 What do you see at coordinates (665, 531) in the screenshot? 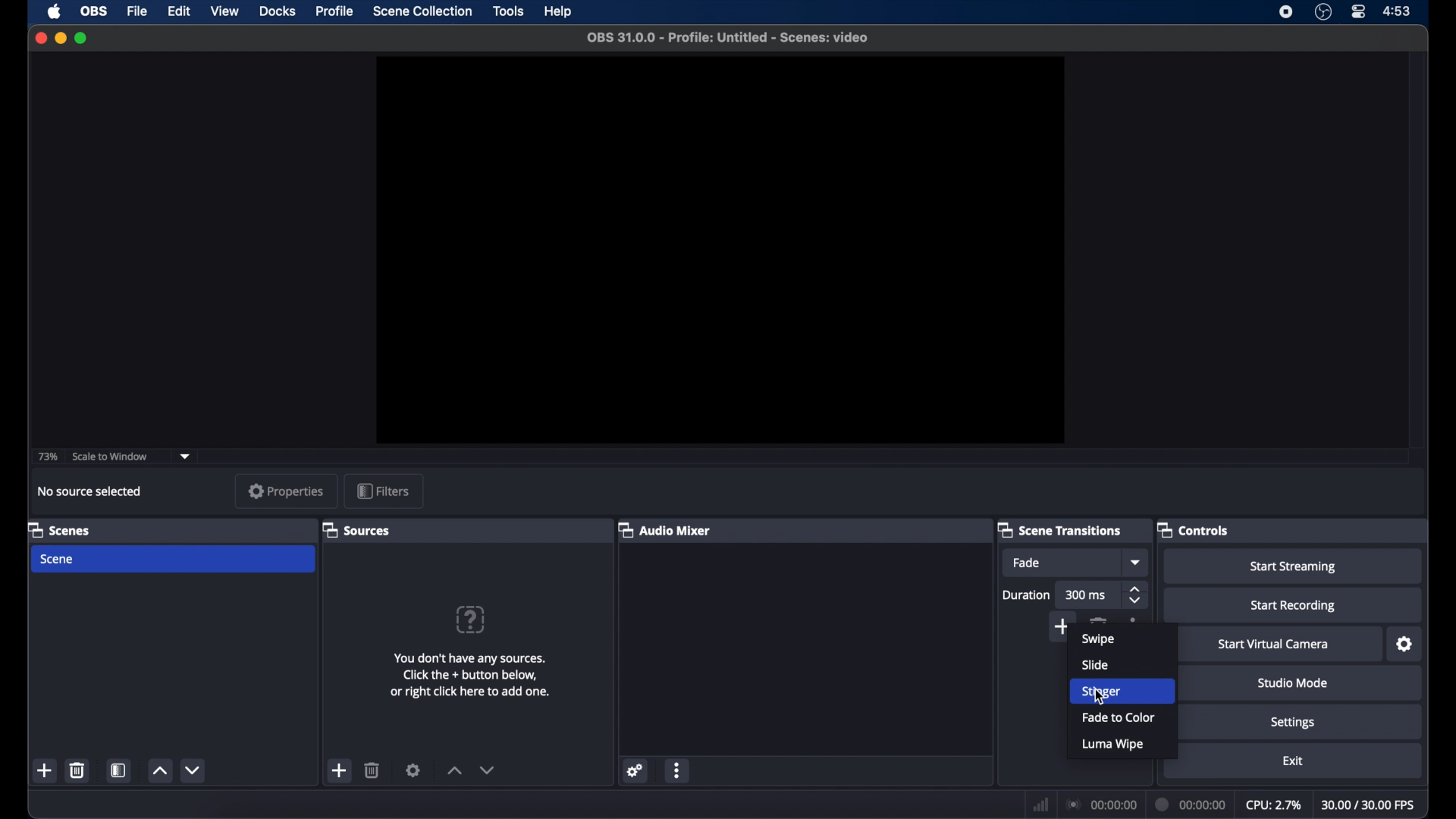
I see `audio mixer` at bounding box center [665, 531].